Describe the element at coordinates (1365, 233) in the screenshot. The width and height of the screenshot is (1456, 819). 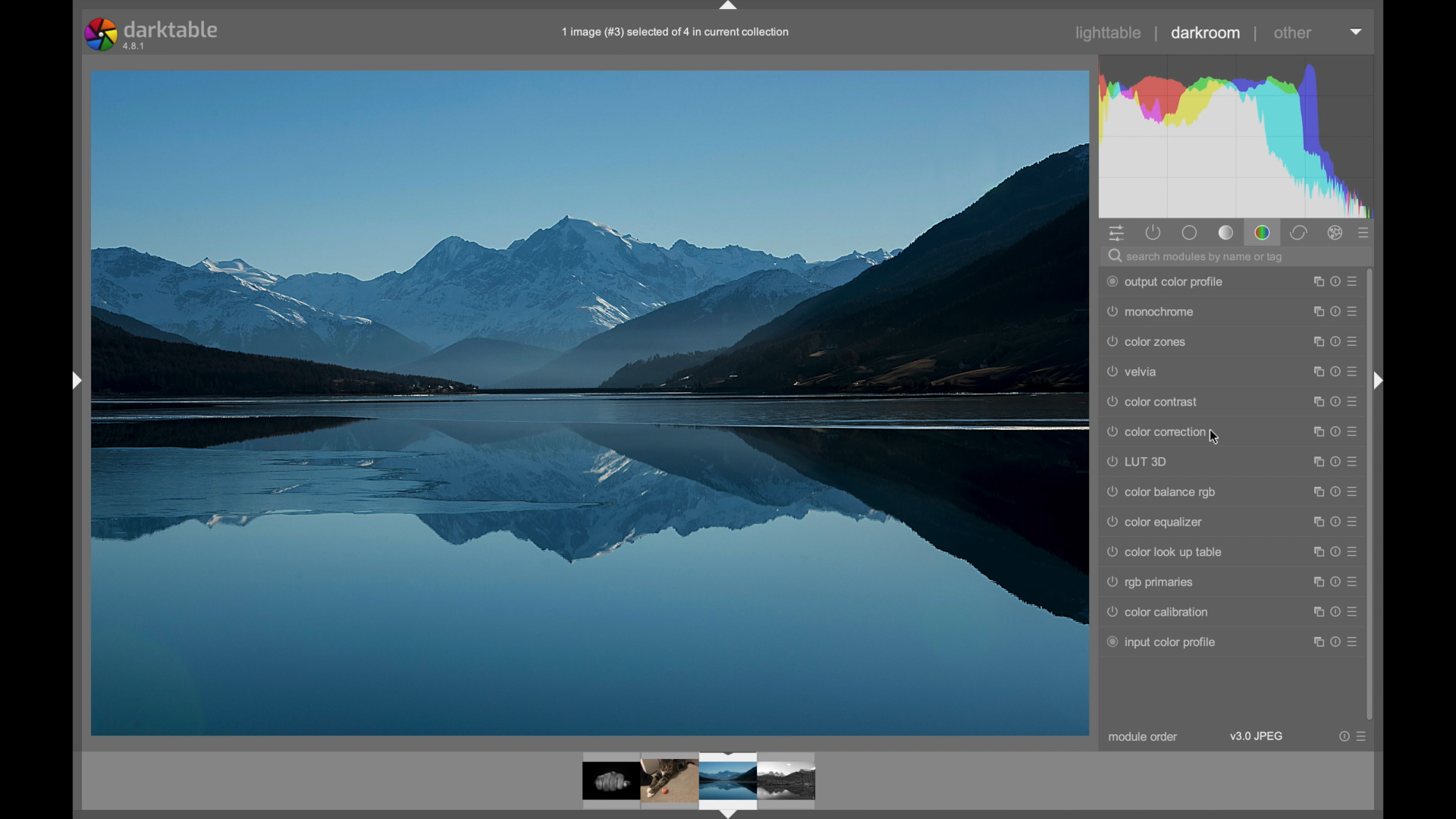
I see `show all options` at that location.